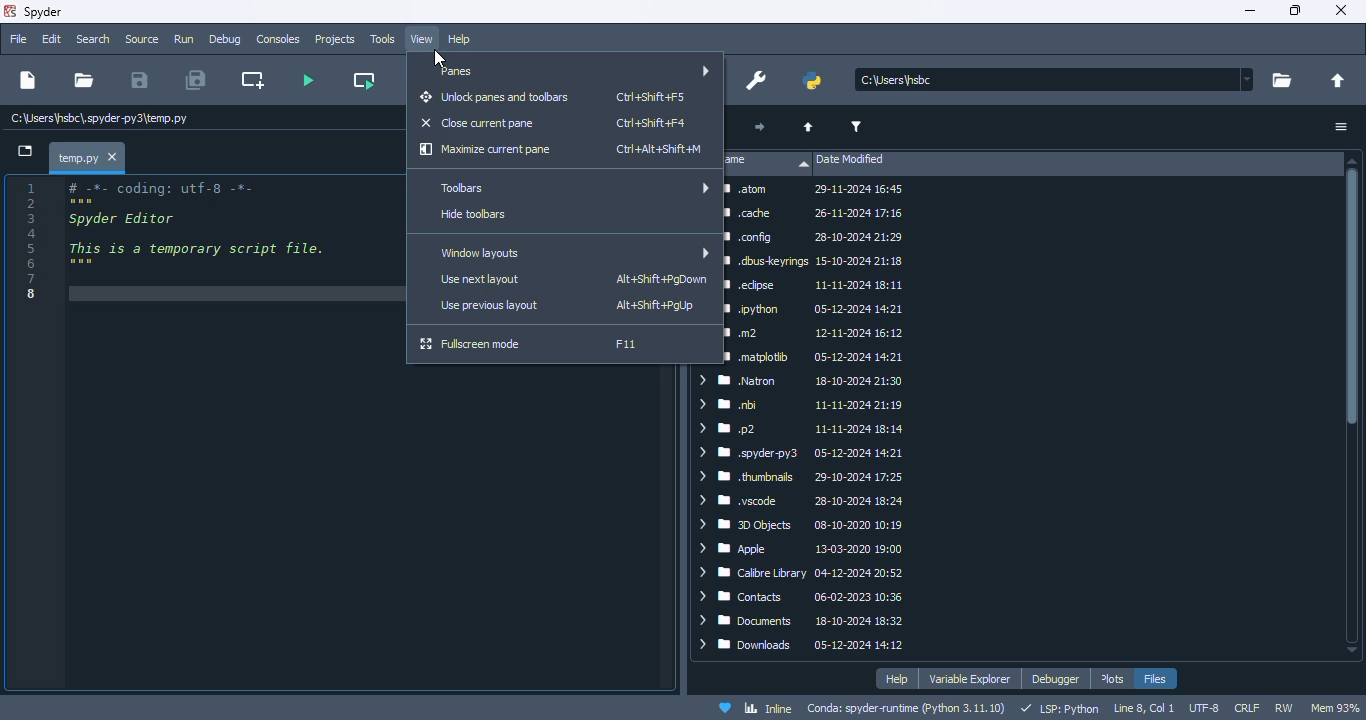 This screenshot has height=720, width=1366. Describe the element at coordinates (800, 381) in the screenshot. I see `Natron` at that location.